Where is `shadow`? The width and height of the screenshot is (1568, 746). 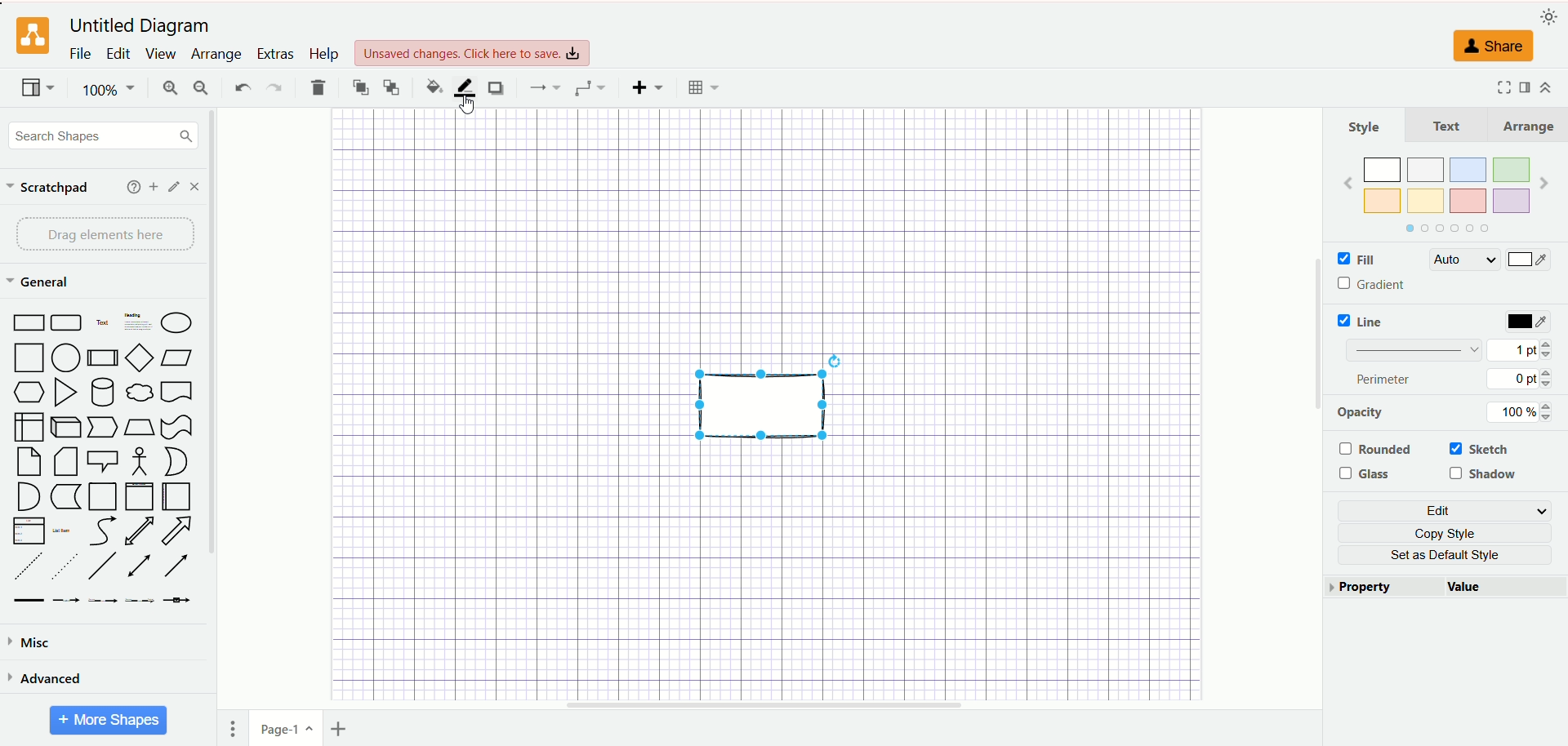
shadow is located at coordinates (1484, 473).